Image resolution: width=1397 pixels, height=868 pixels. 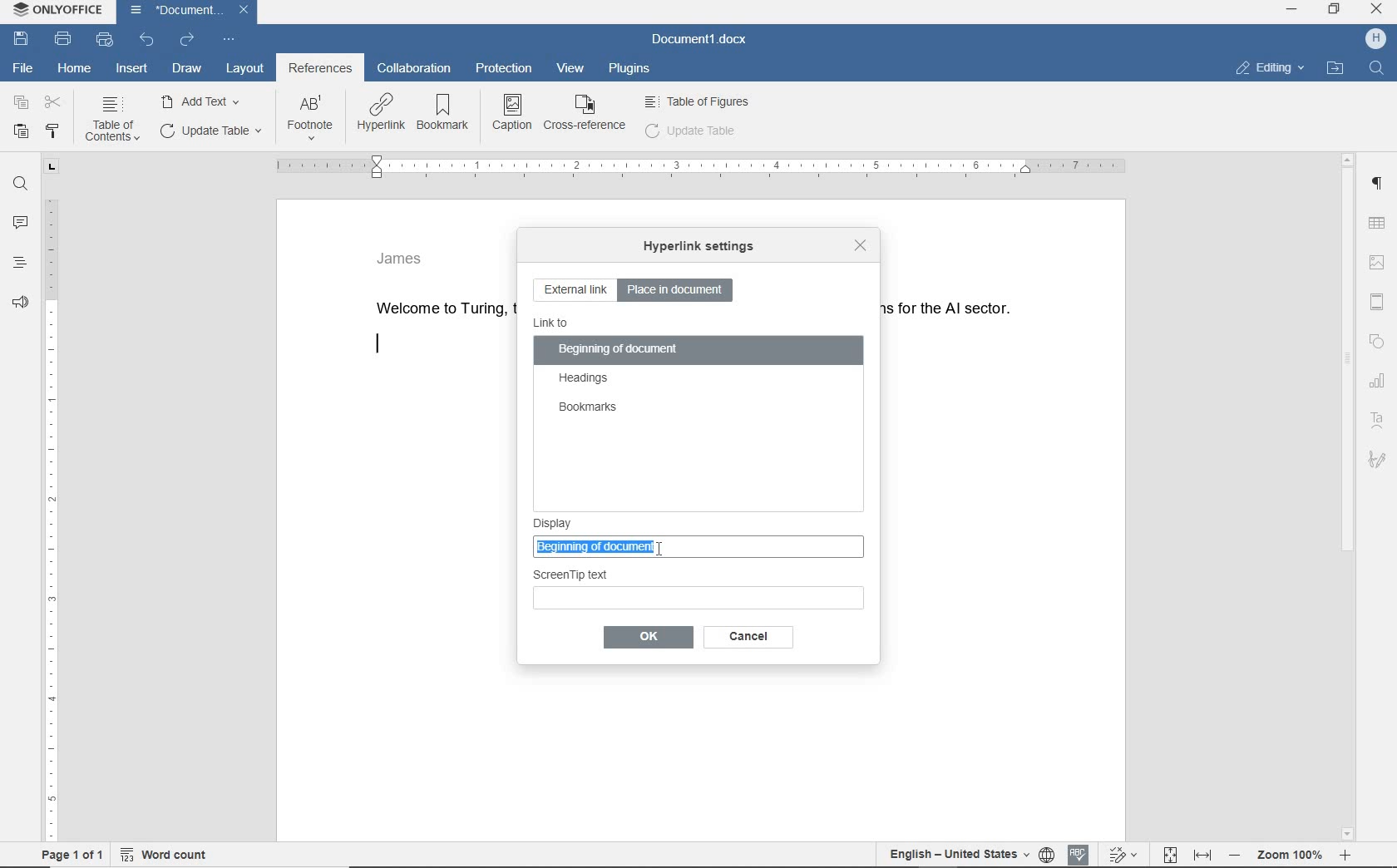 I want to click on view, so click(x=568, y=69).